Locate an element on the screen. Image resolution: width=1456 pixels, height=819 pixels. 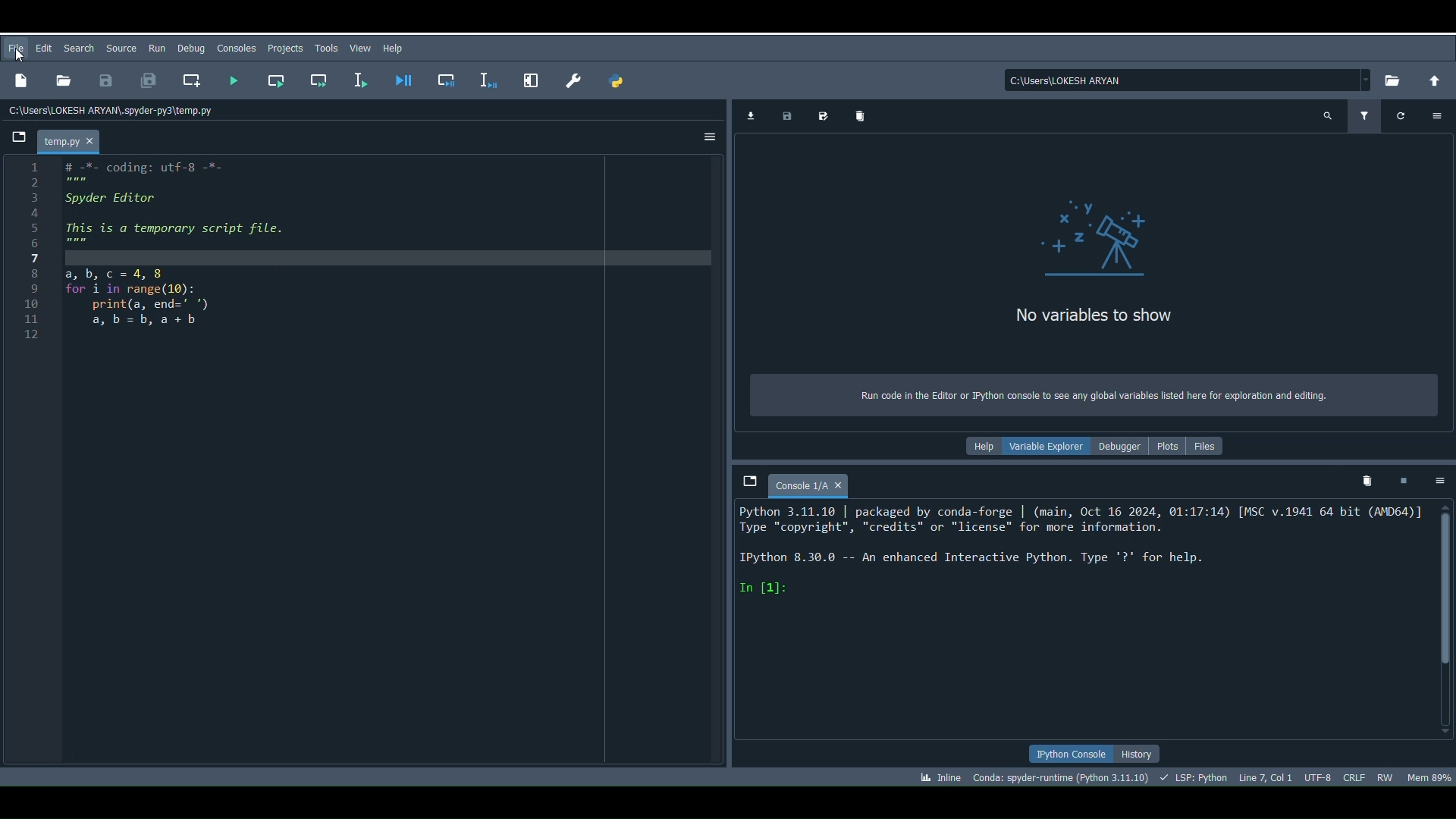
temp.py is located at coordinates (61, 140).